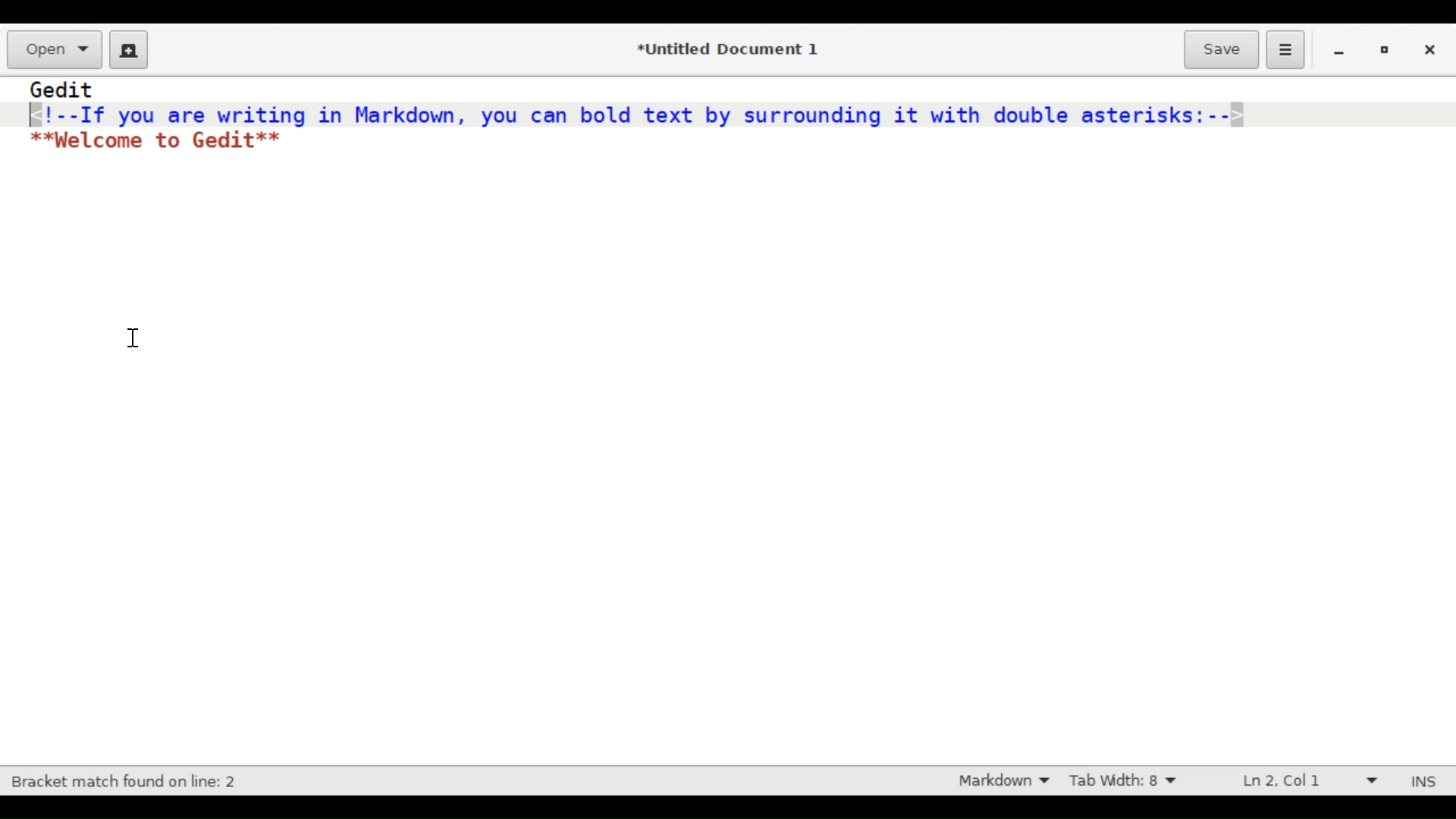  Describe the element at coordinates (54, 49) in the screenshot. I see `Open` at that location.